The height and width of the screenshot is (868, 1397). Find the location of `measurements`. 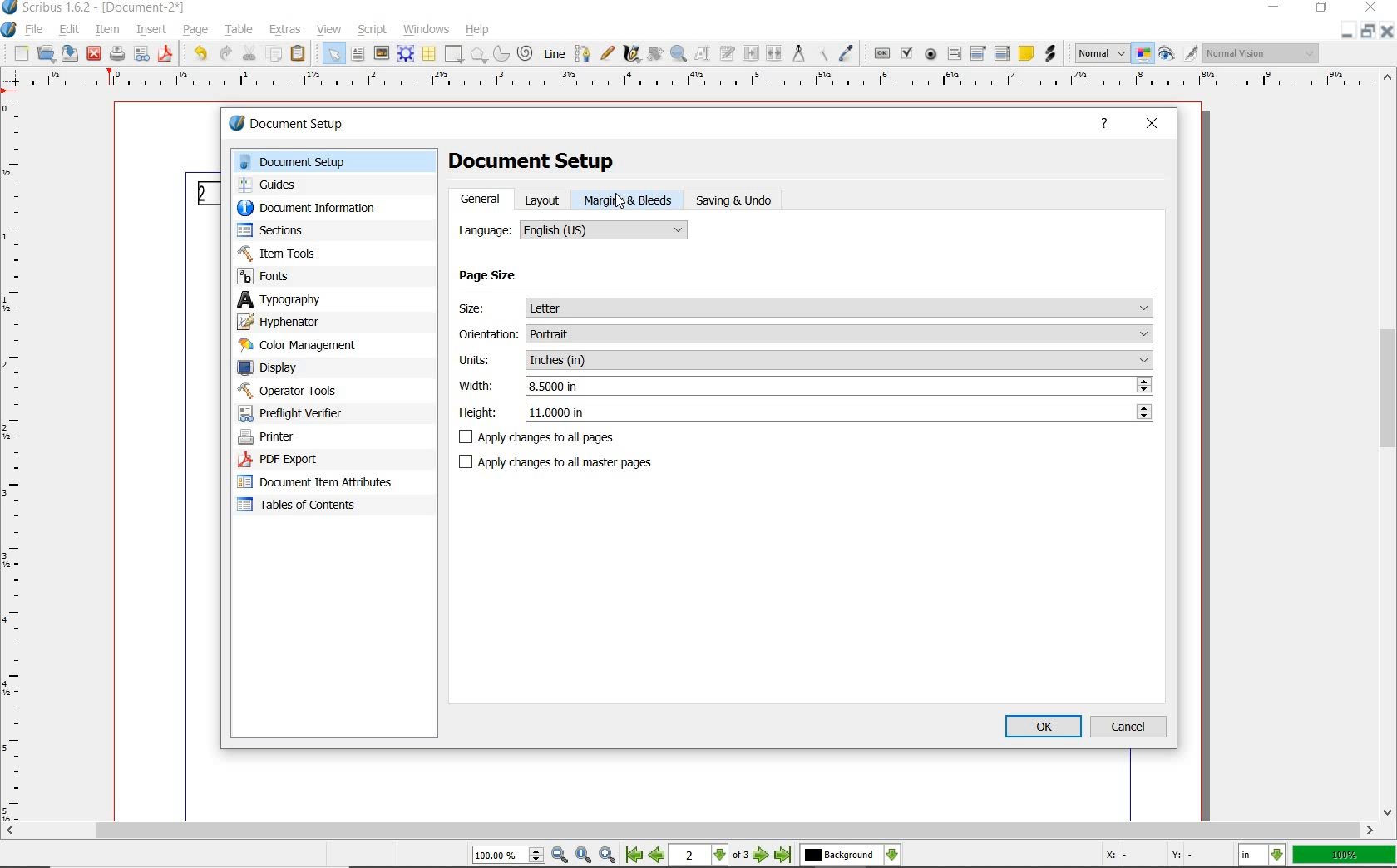

measurements is located at coordinates (800, 55).